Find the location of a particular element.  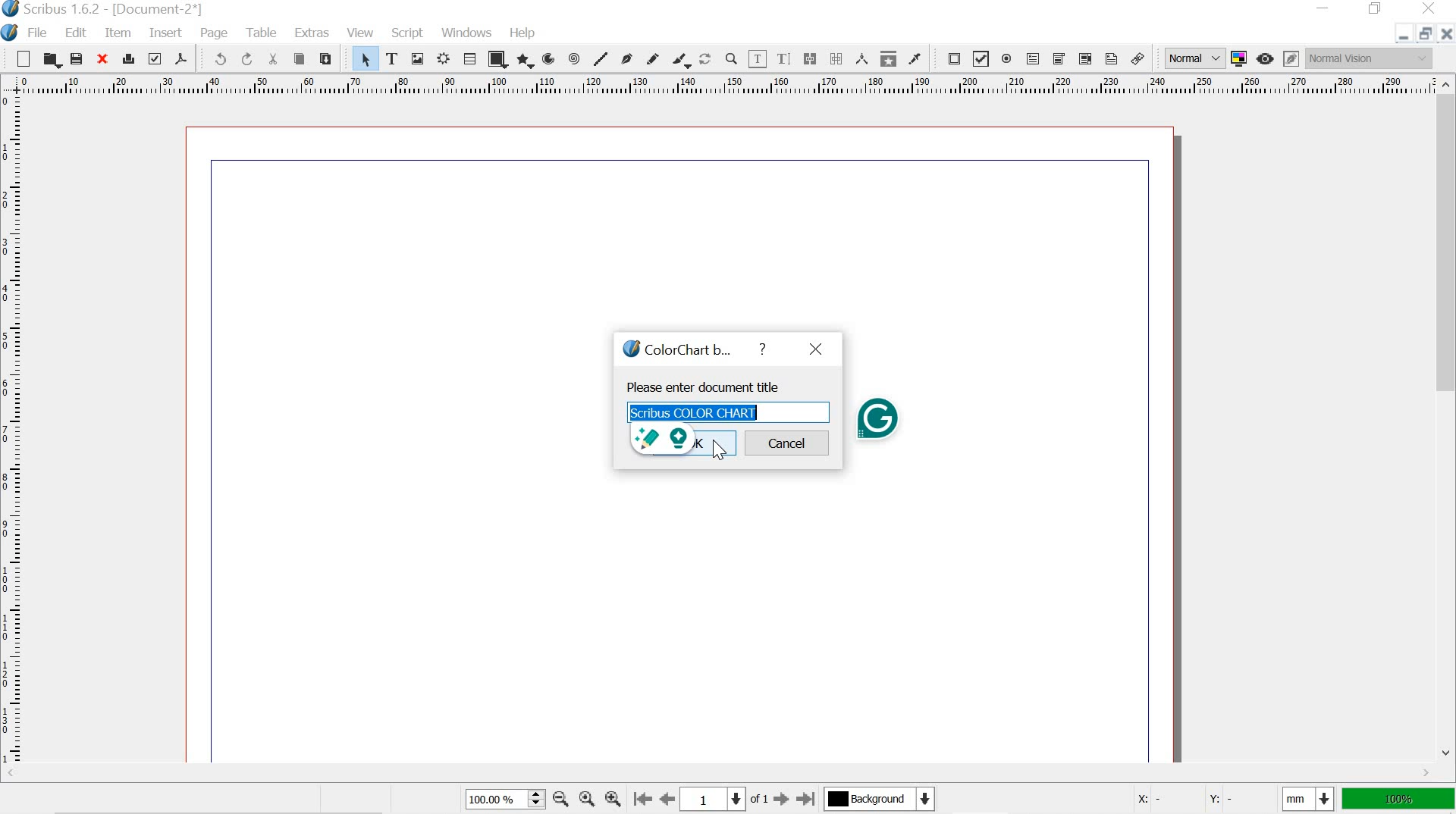

text annotation is located at coordinates (1112, 59).